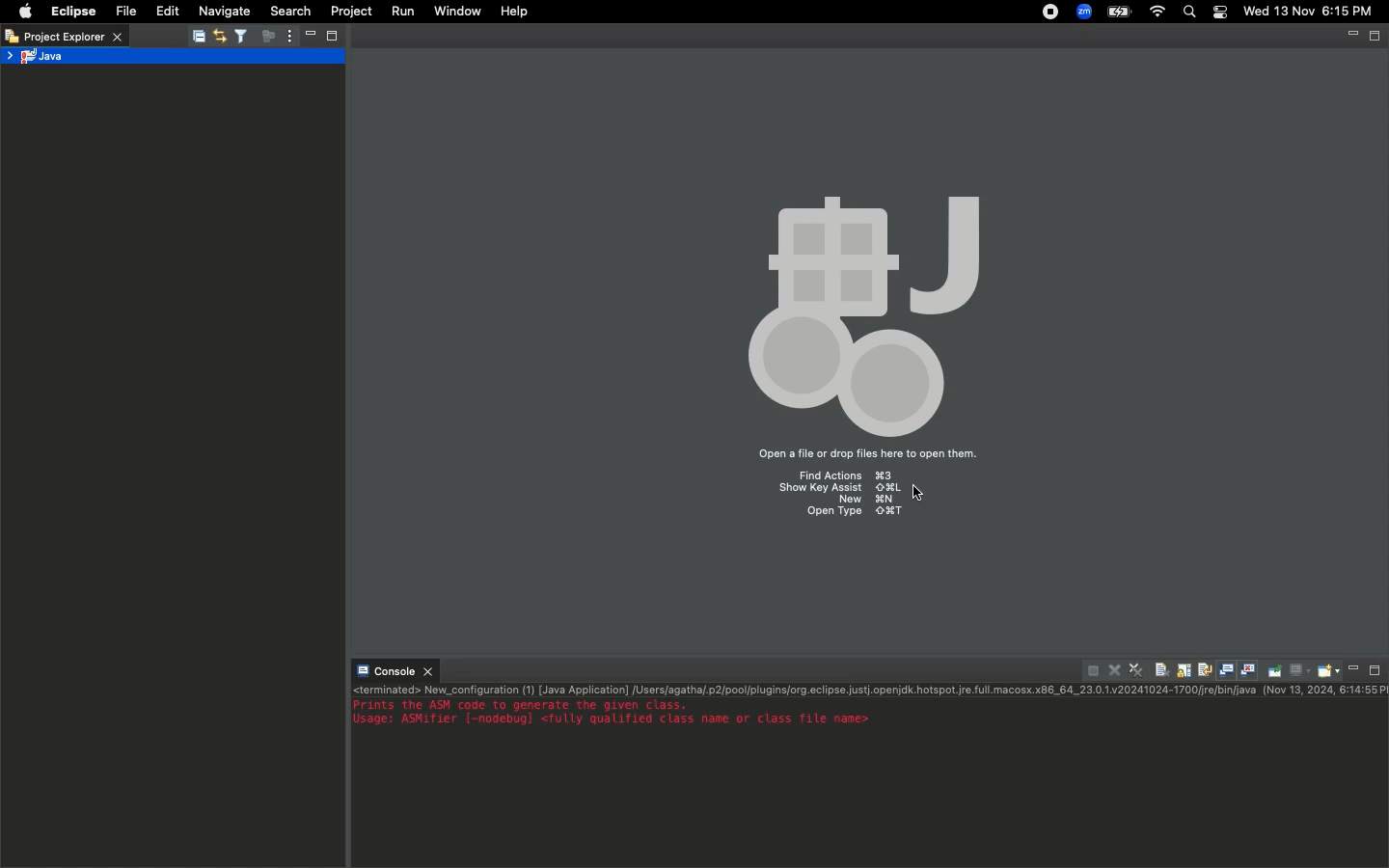 The height and width of the screenshot is (868, 1389). I want to click on Zoom, so click(1081, 14).